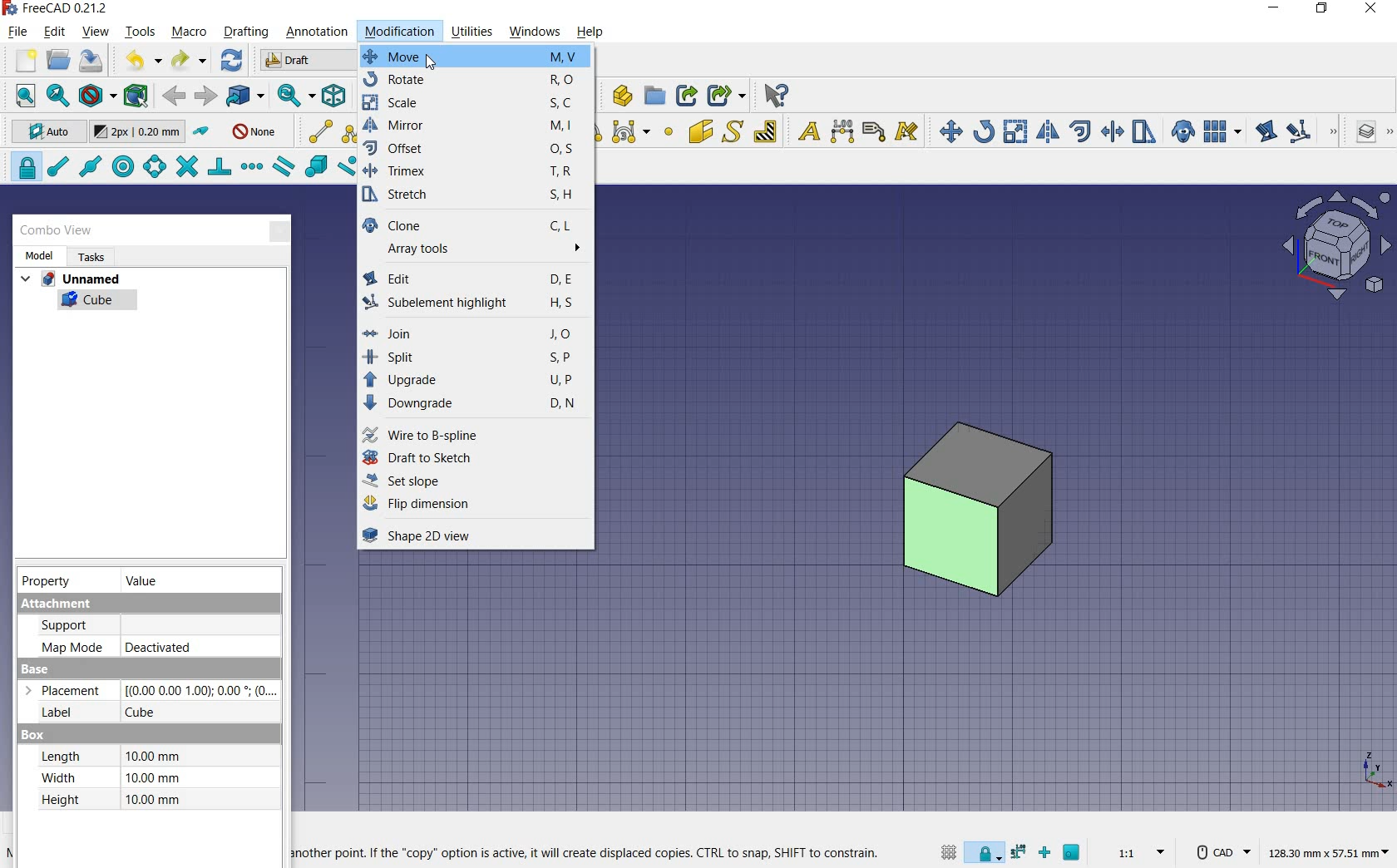 This screenshot has width=1397, height=868. I want to click on undo, so click(137, 60).